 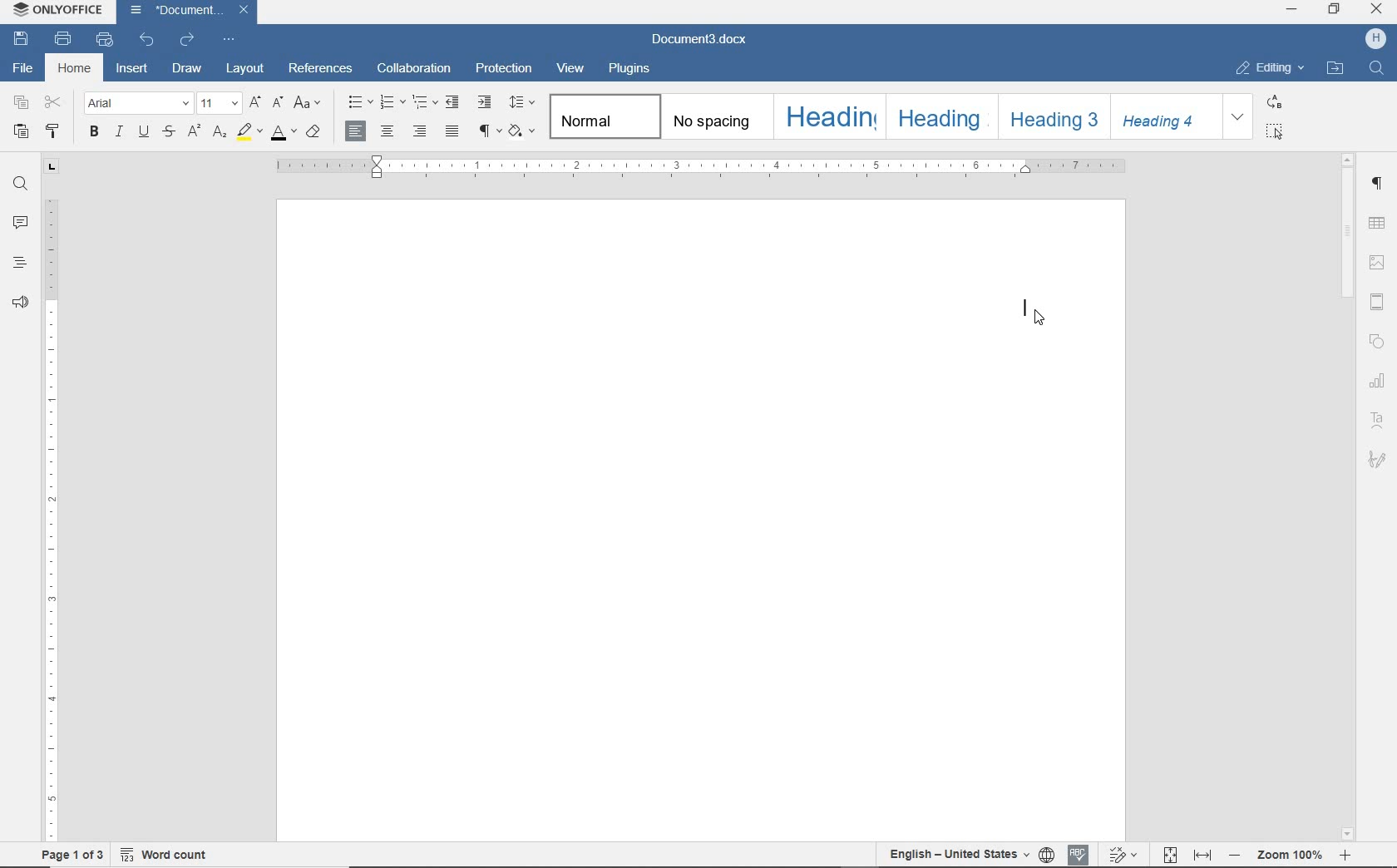 I want to click on ALIGN RIGHT, so click(x=417, y=131).